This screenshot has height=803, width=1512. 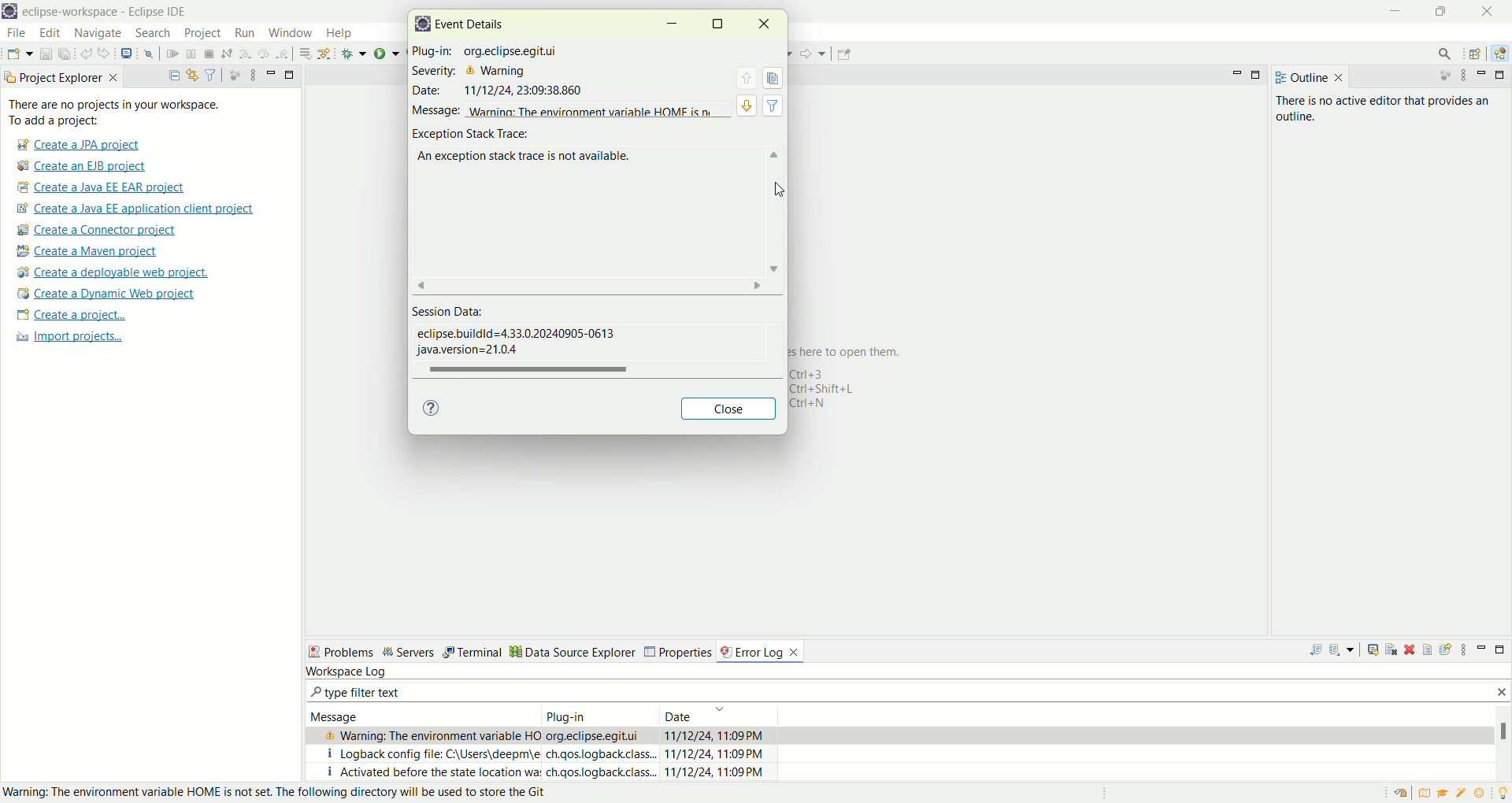 I want to click on minimize, so click(x=269, y=73).